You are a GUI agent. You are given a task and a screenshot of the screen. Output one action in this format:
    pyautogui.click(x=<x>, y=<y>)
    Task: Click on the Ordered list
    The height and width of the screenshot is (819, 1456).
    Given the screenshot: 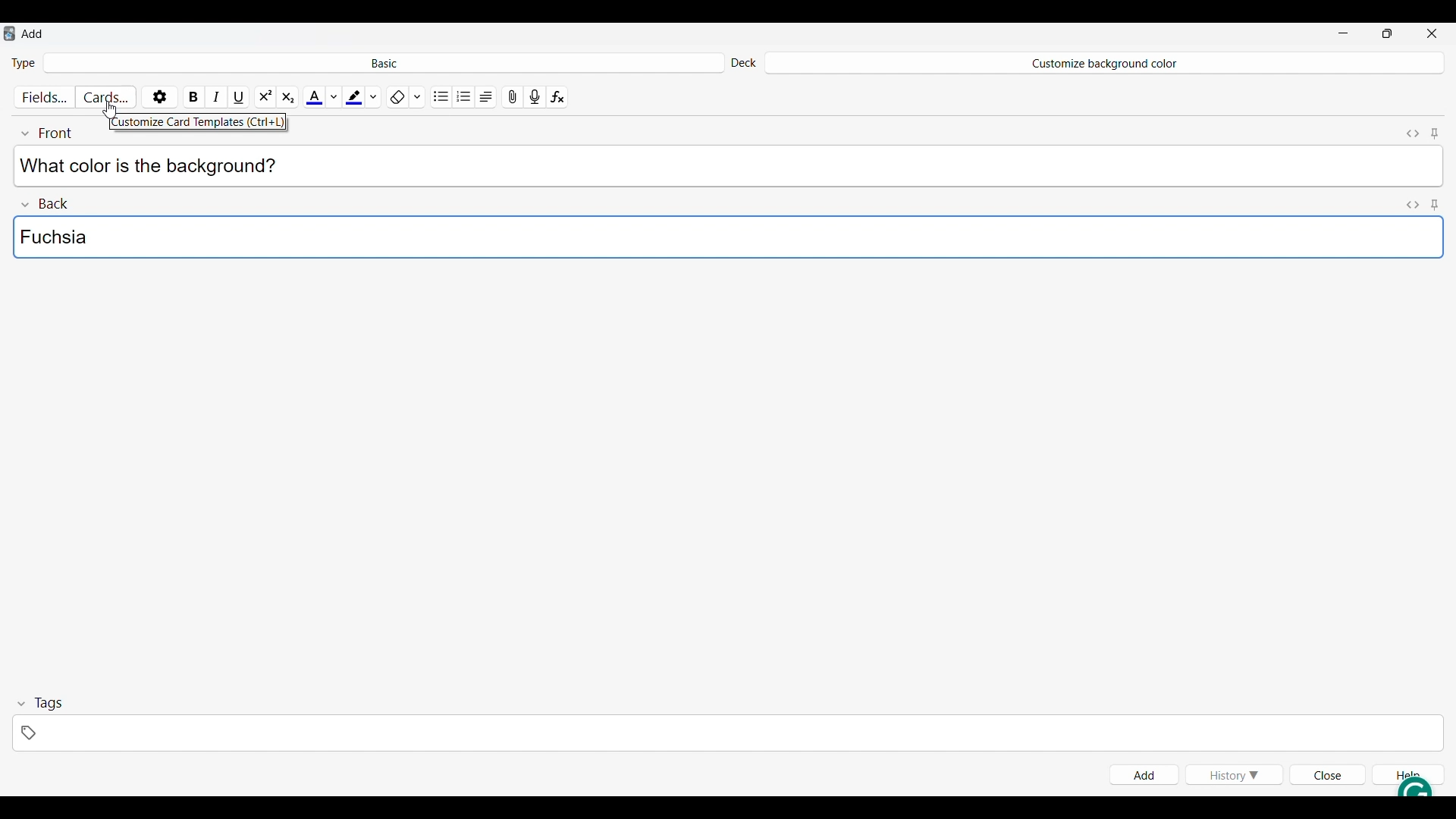 What is the action you would take?
    pyautogui.click(x=464, y=95)
    